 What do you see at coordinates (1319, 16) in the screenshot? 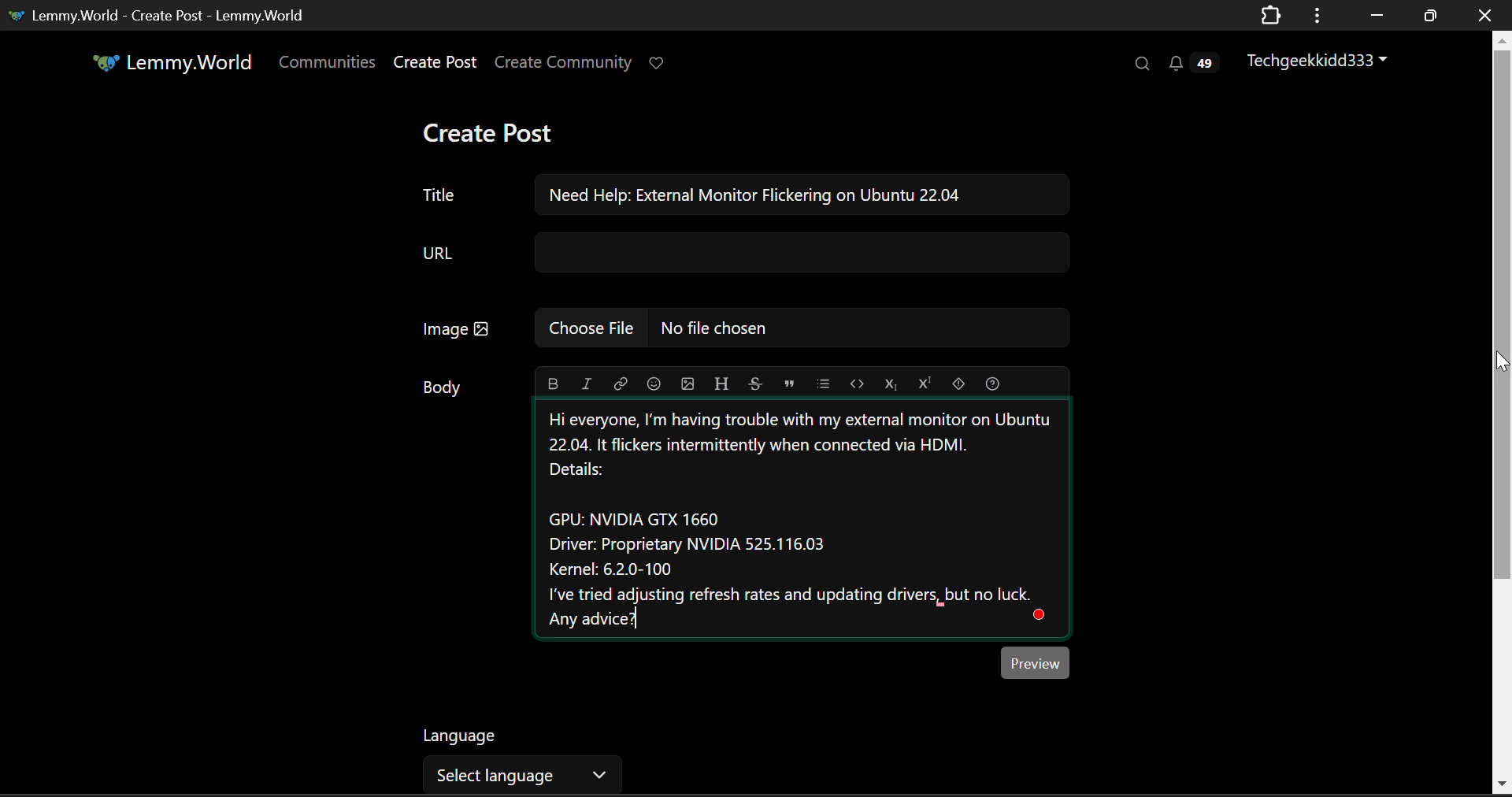
I see `Window Options` at bounding box center [1319, 16].